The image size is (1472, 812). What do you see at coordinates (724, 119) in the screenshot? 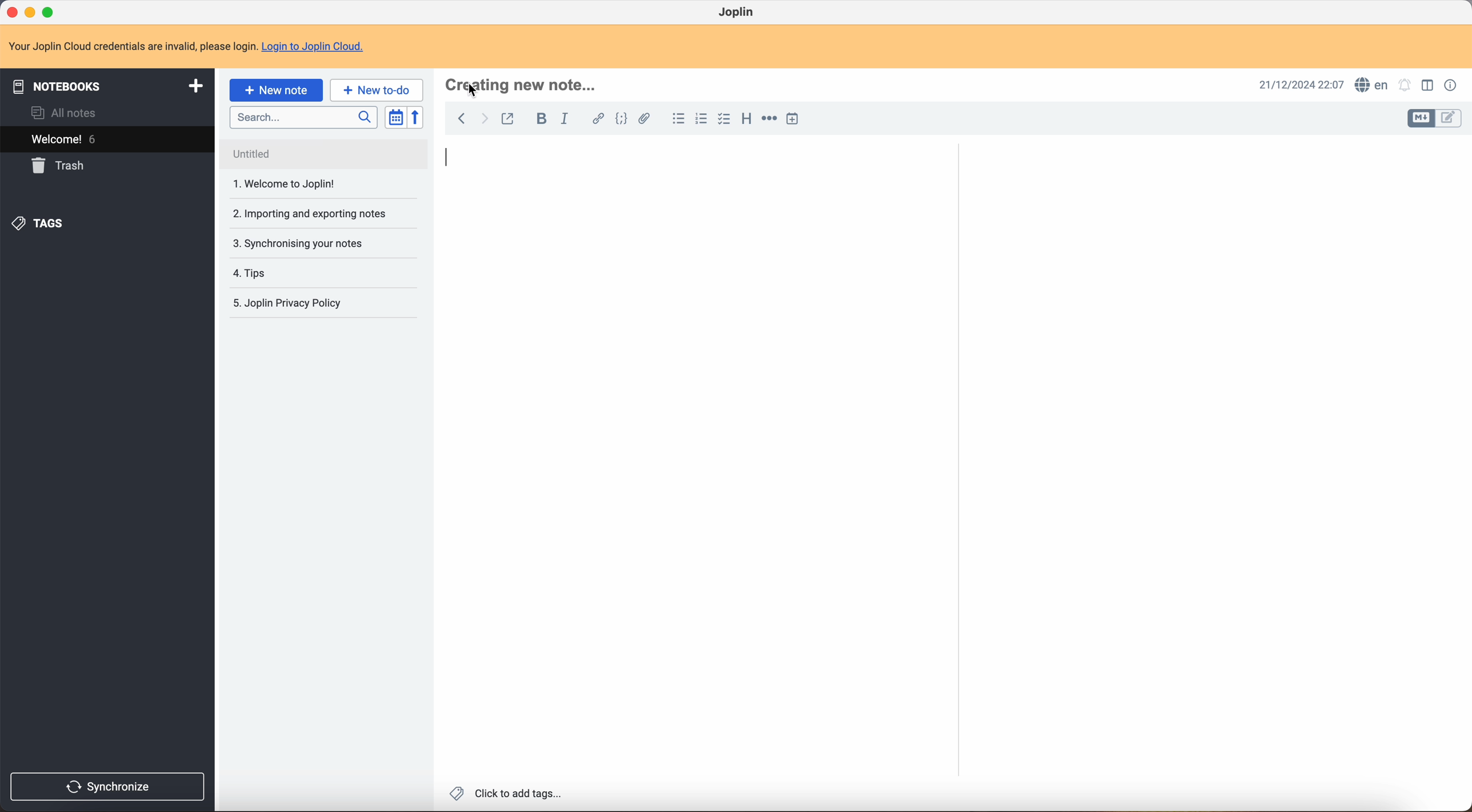
I see `checkbox` at bounding box center [724, 119].